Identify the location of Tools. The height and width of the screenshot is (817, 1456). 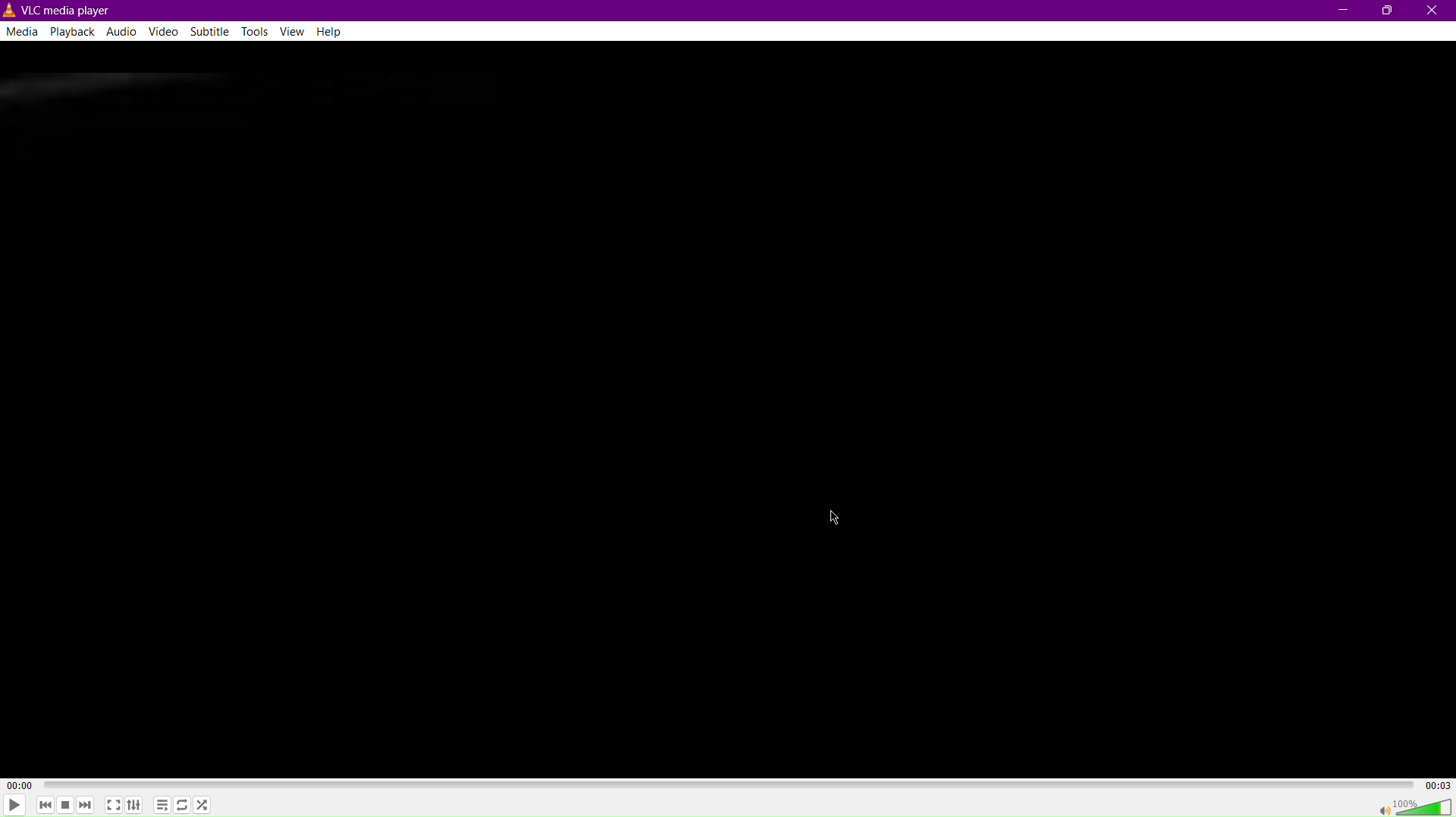
(254, 33).